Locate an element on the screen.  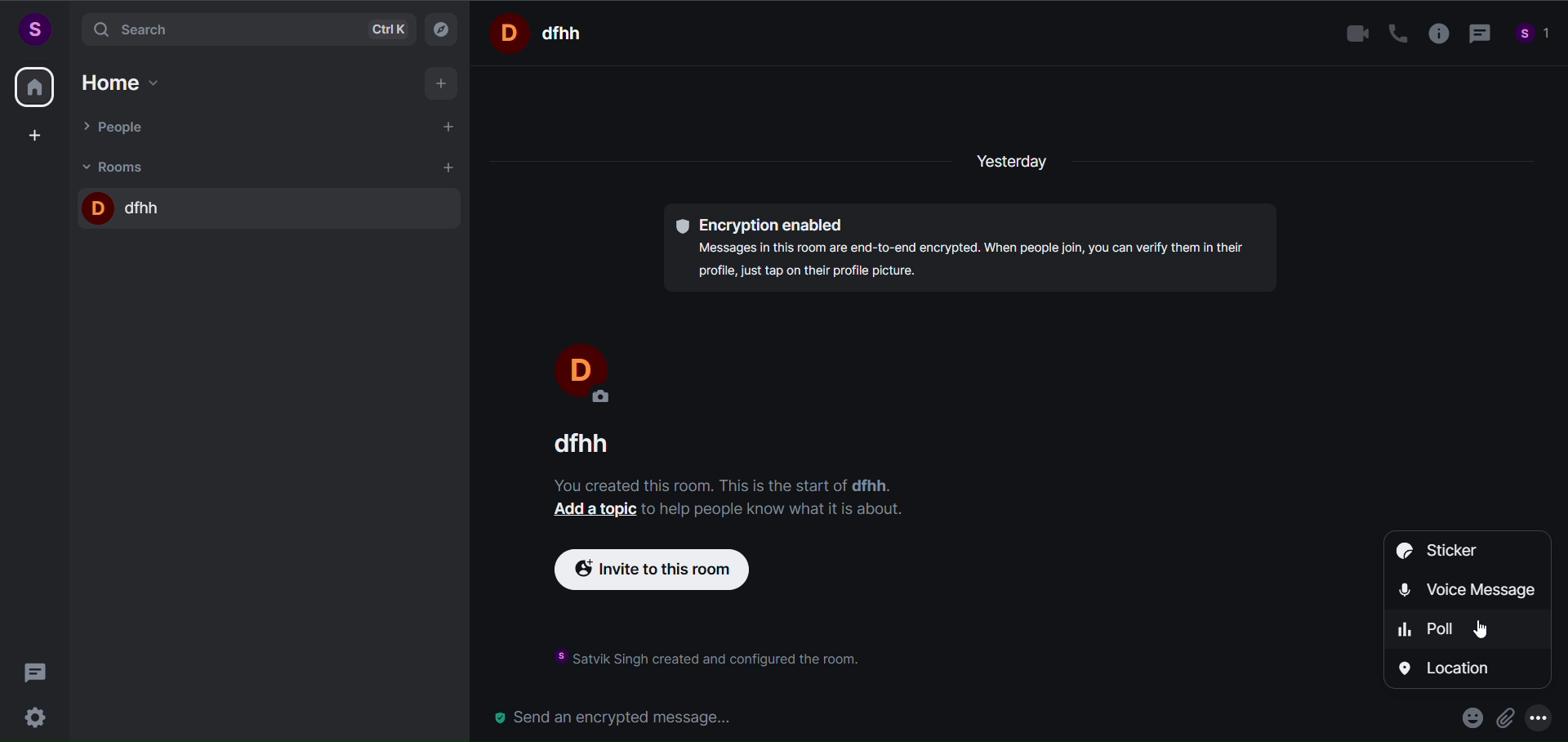
text is located at coordinates (714, 482).